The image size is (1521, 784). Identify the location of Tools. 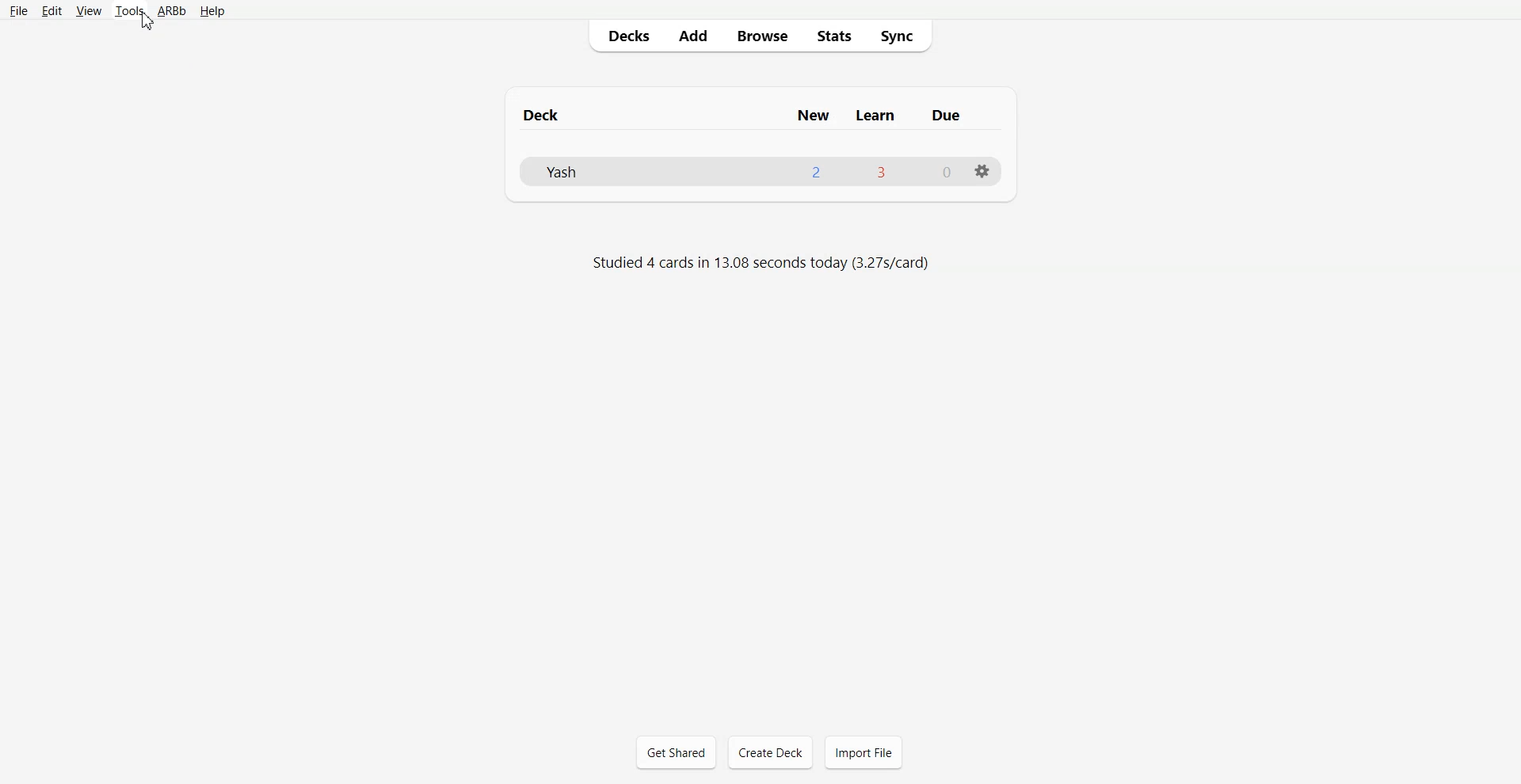
(129, 11).